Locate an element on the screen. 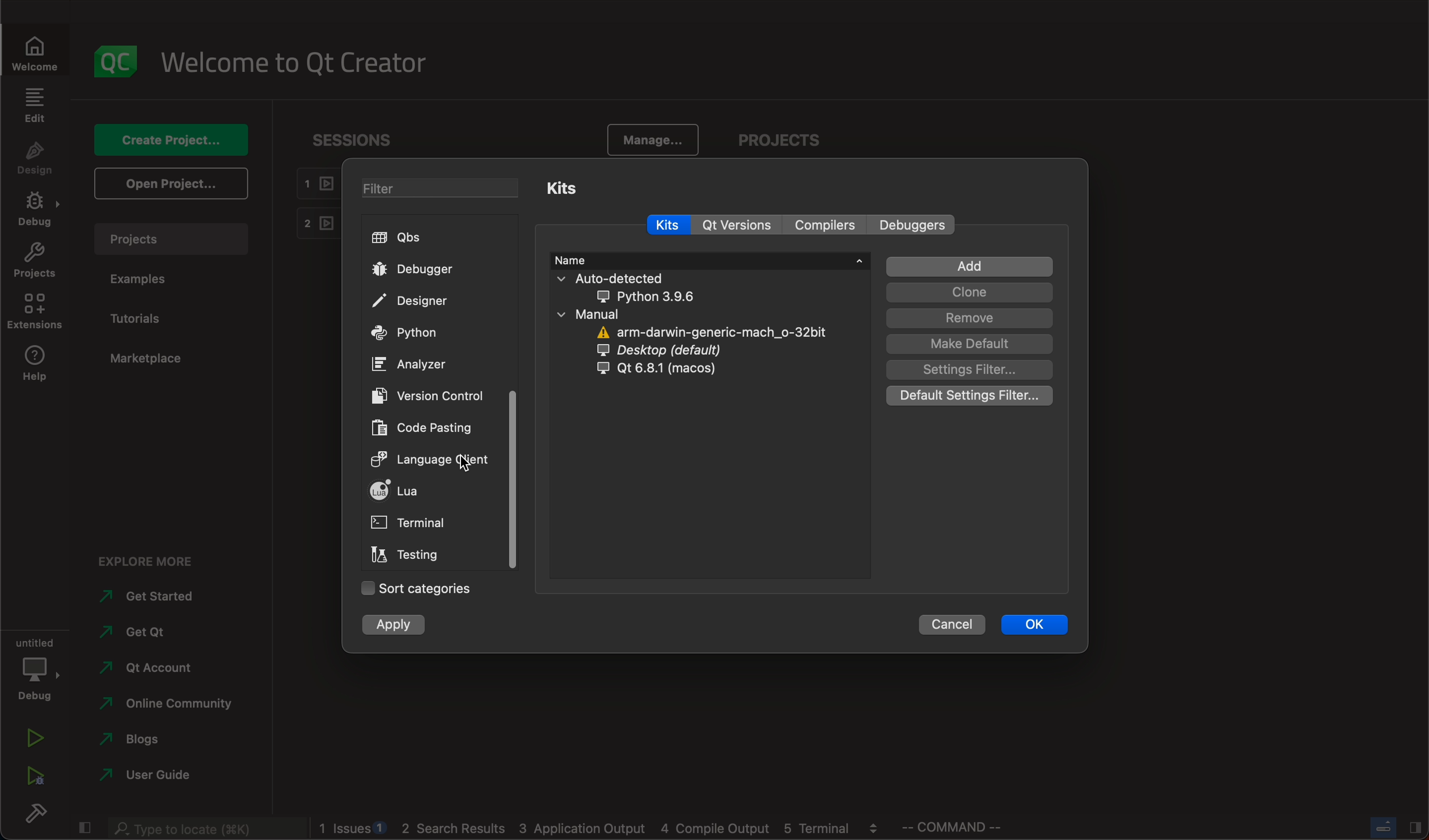  auto detected is located at coordinates (650, 287).